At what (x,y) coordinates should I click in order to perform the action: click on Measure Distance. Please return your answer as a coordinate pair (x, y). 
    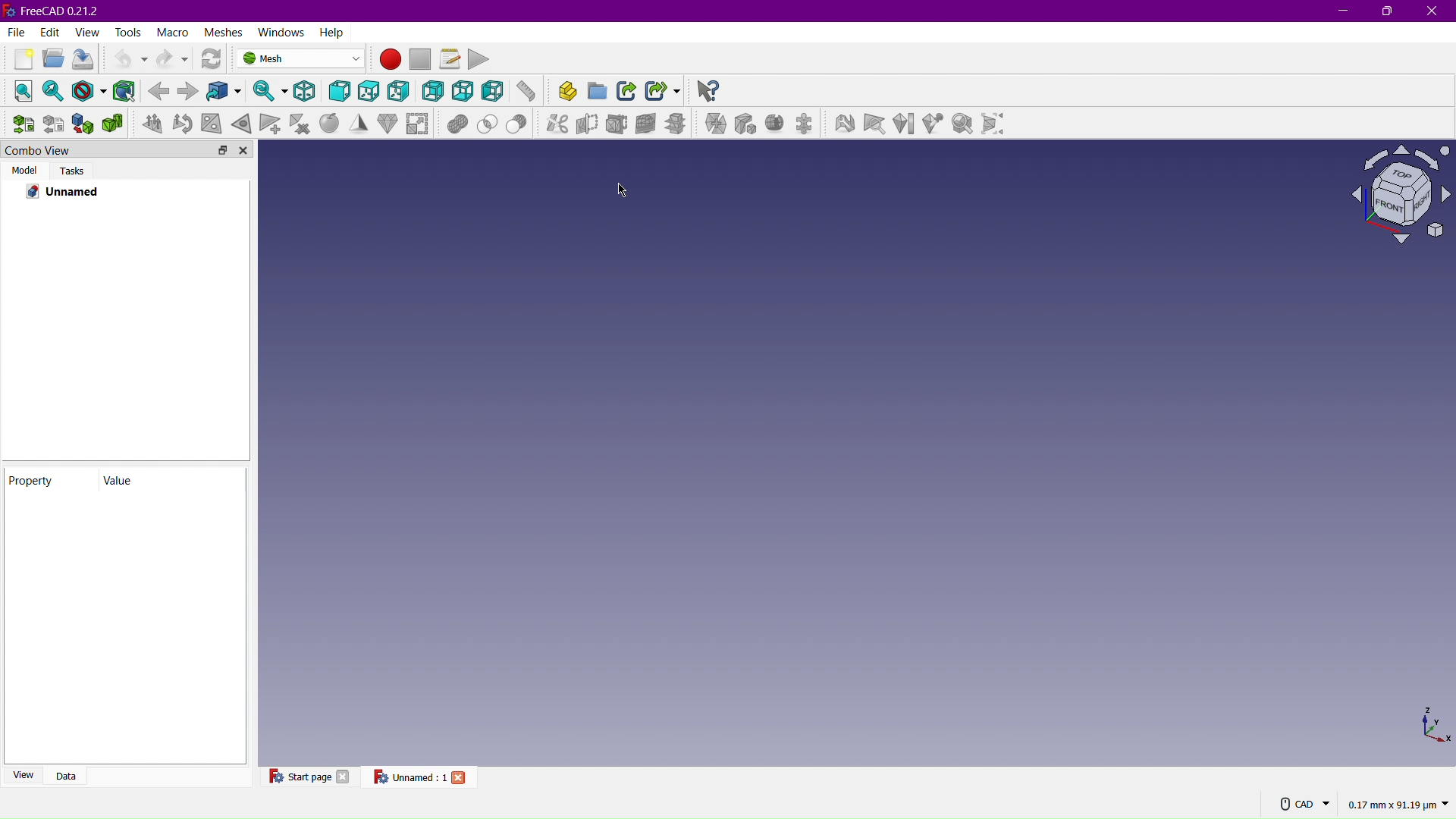
    Looking at the image, I should click on (526, 94).